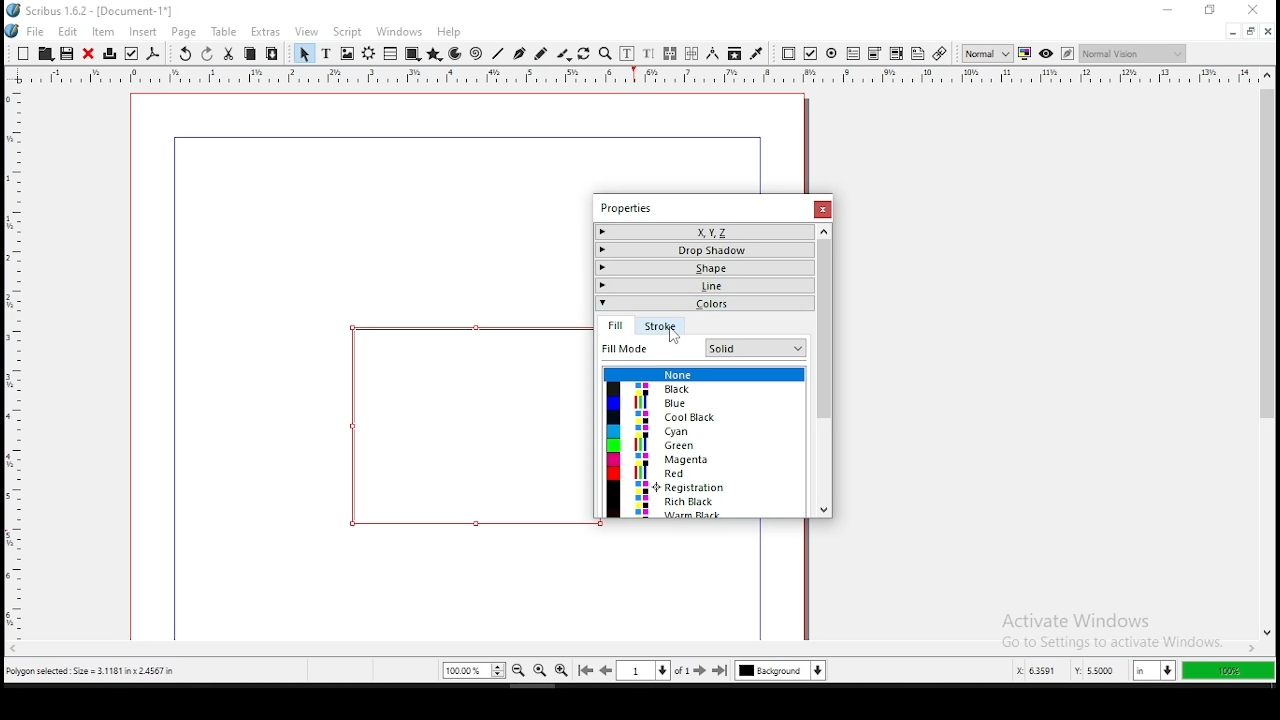  Describe the element at coordinates (519, 54) in the screenshot. I see `bezier curve` at that location.